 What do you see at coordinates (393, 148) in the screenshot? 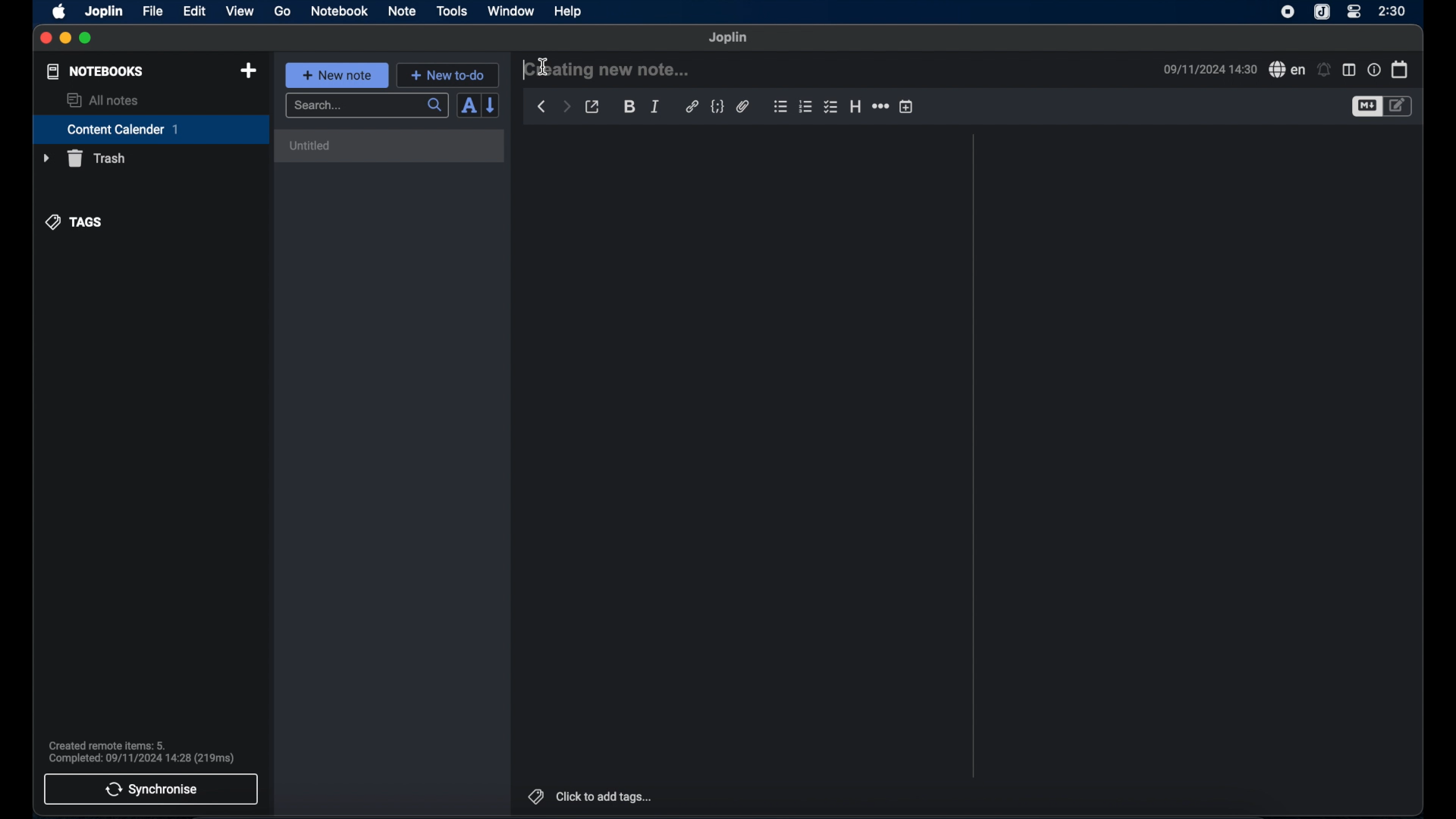
I see `untitled` at bounding box center [393, 148].